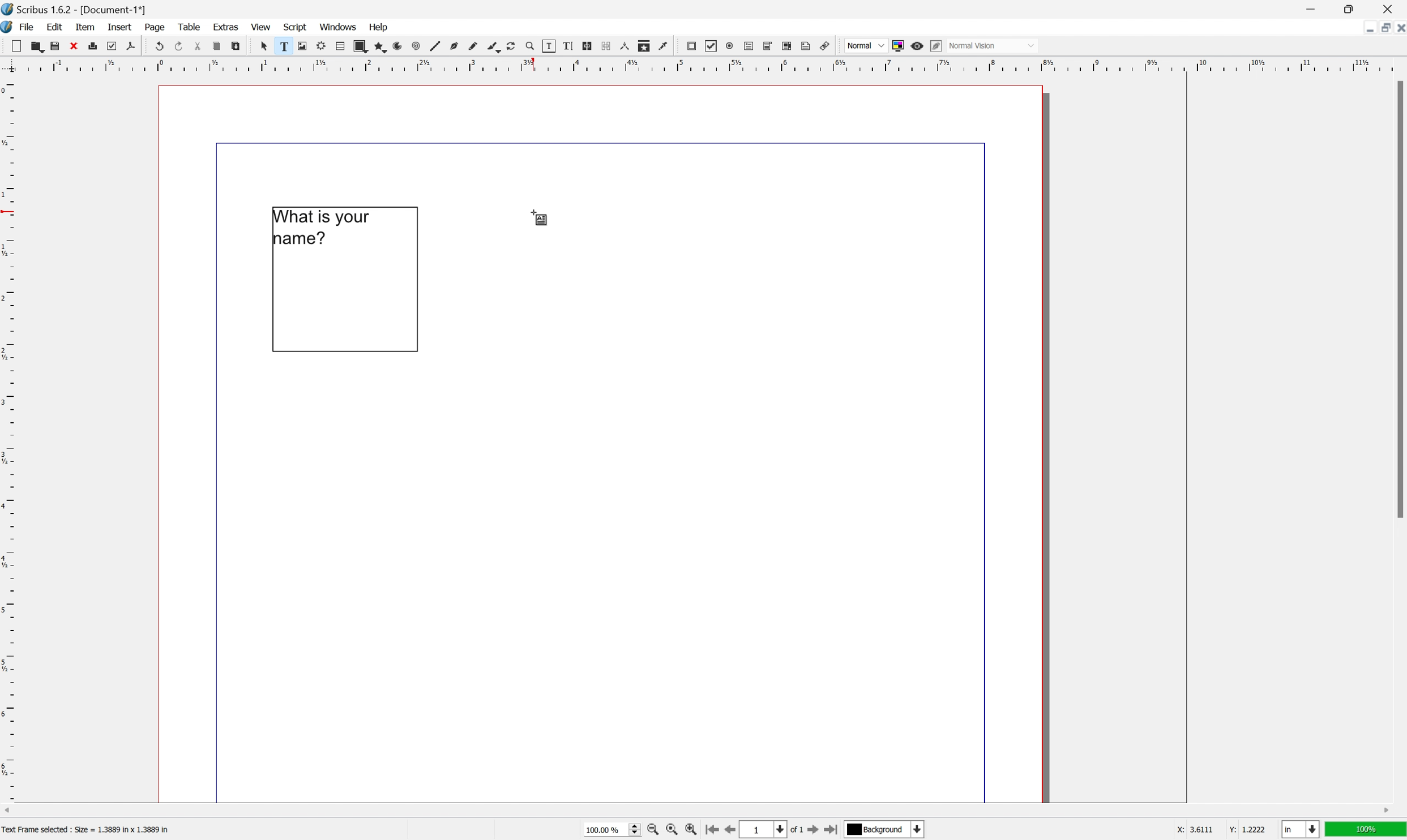 Image resolution: width=1407 pixels, height=840 pixels. I want to click on normal vision, so click(993, 45).